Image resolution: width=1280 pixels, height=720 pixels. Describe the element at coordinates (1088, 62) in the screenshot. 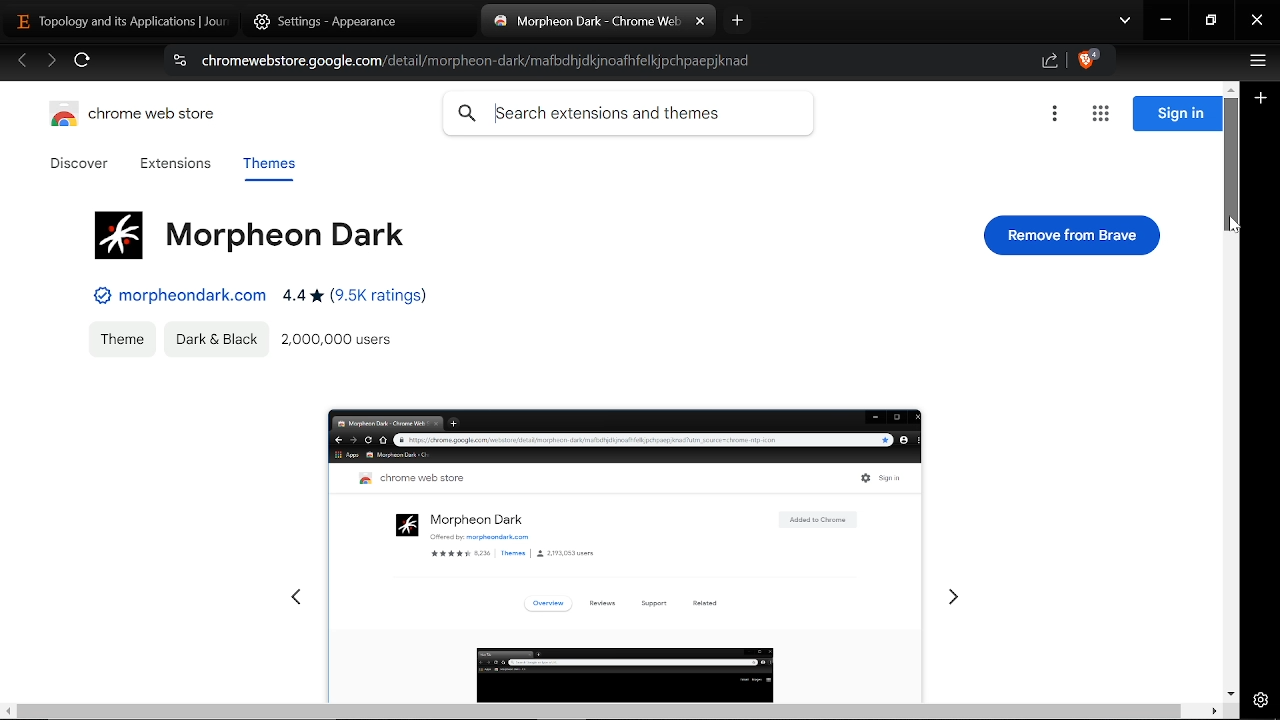

I see `Brave shield` at that location.